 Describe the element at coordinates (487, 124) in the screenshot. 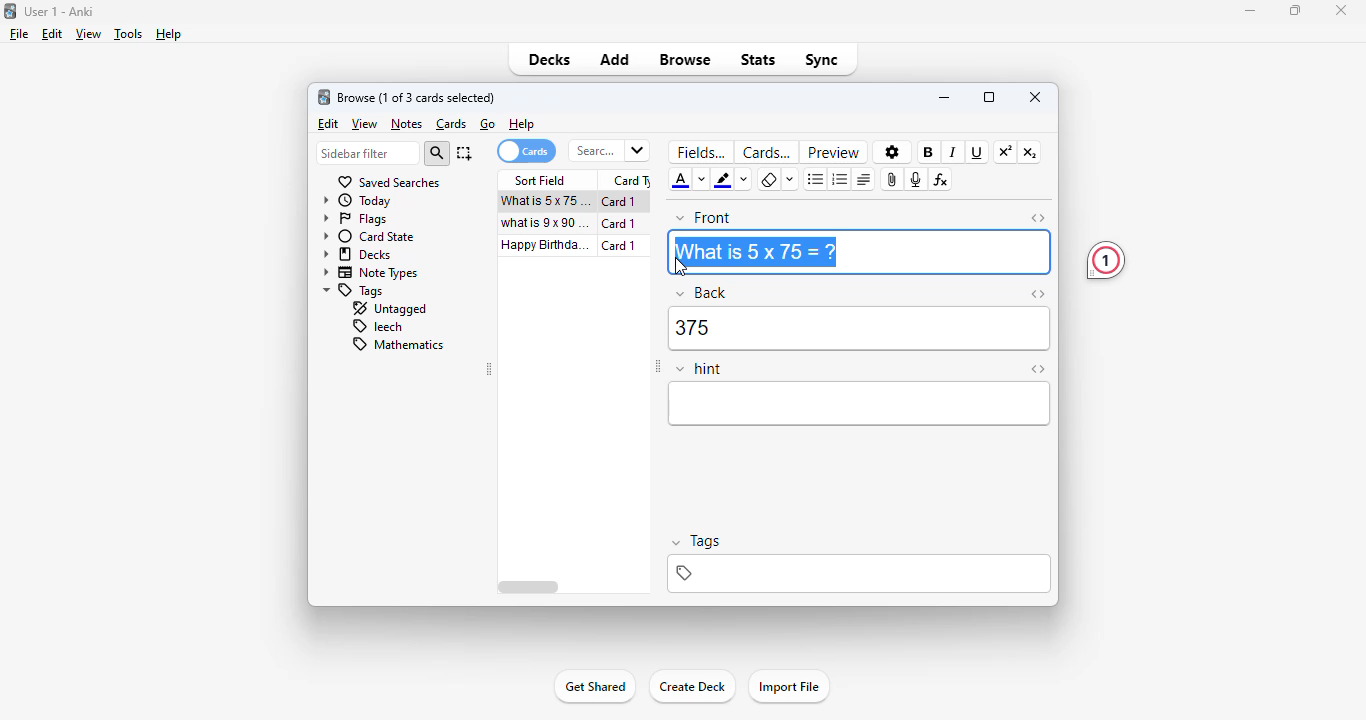

I see `go` at that location.